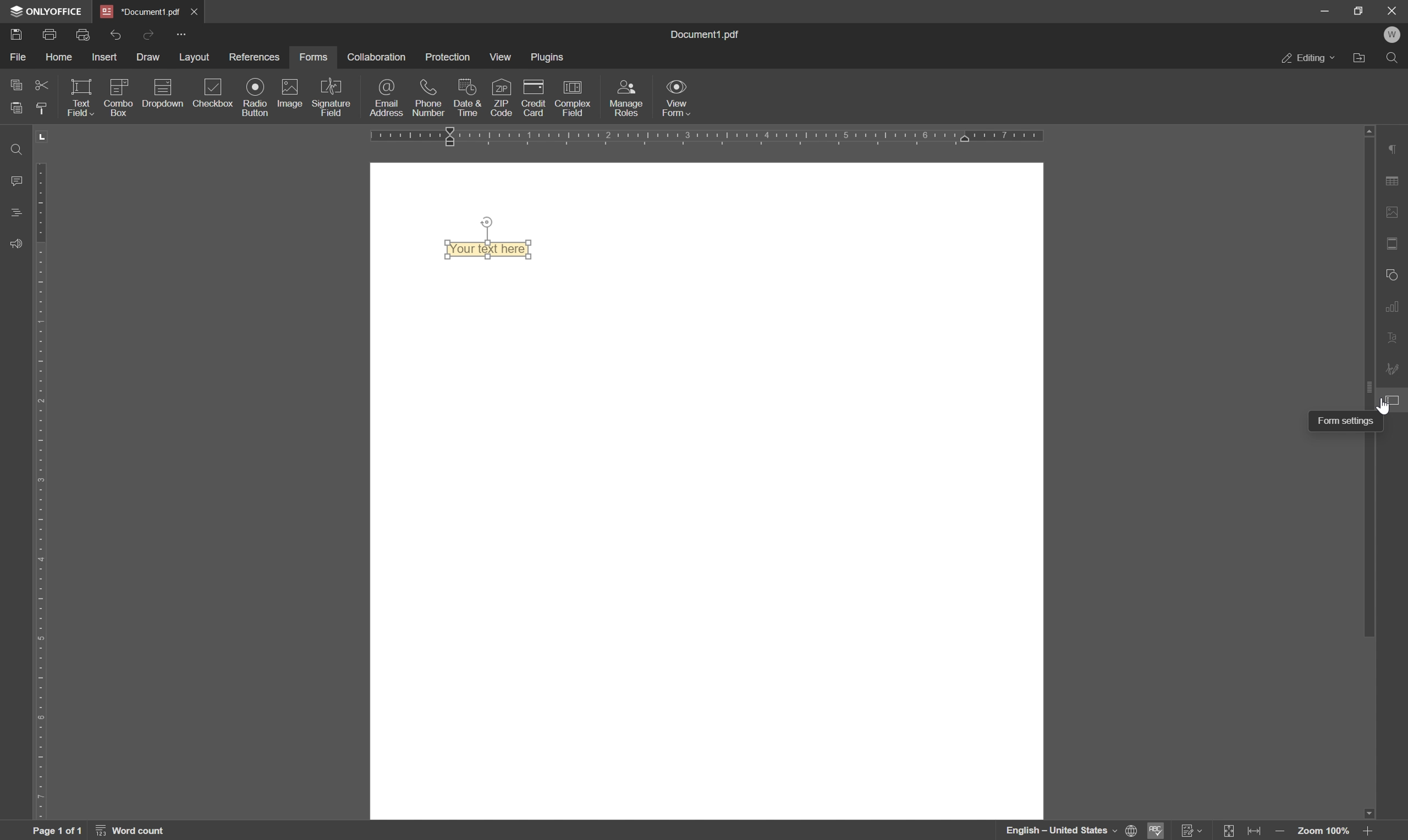 This screenshot has height=840, width=1408. Describe the element at coordinates (45, 108) in the screenshot. I see `copy style` at that location.